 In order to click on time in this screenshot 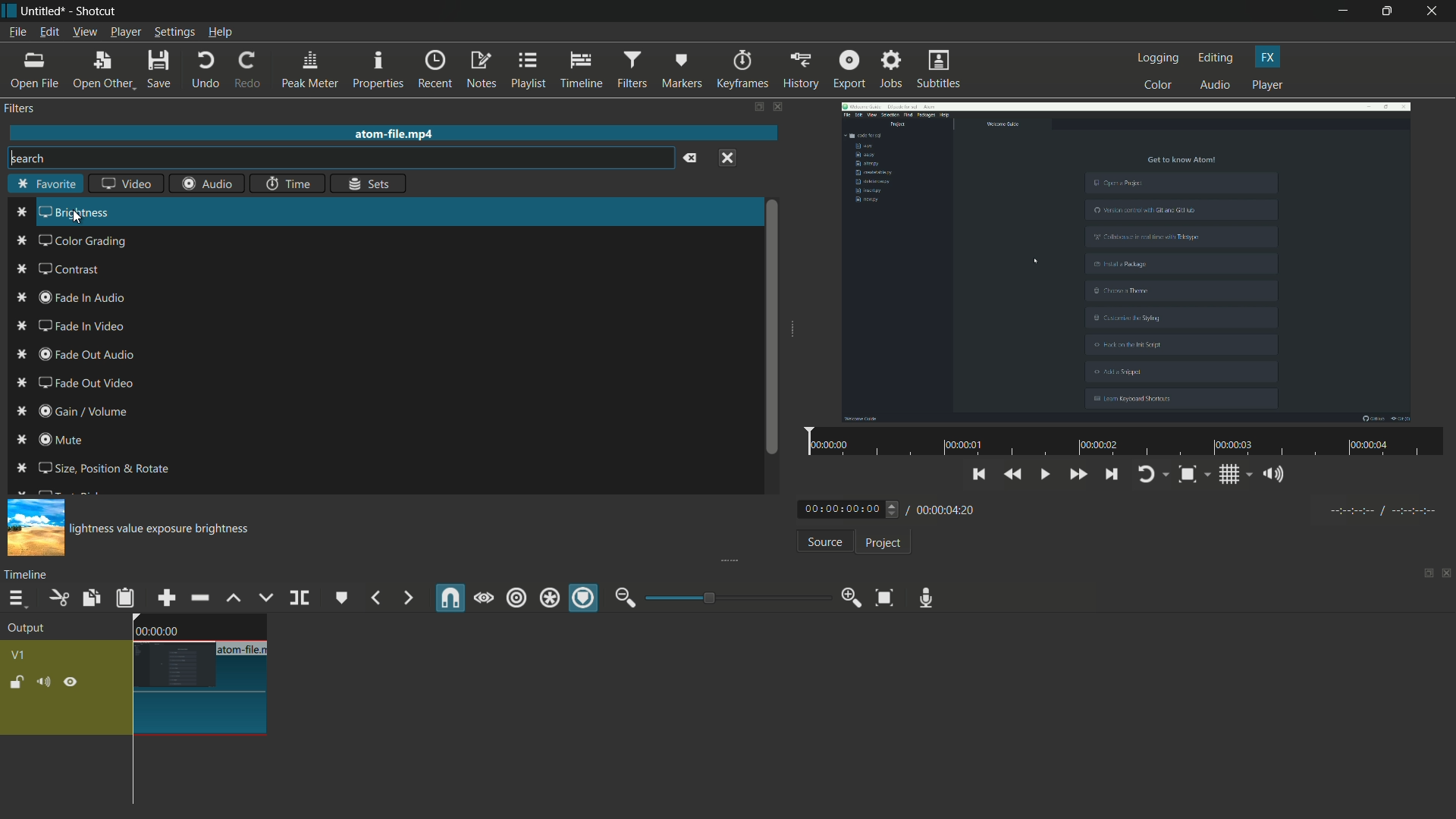, I will do `click(287, 184)`.